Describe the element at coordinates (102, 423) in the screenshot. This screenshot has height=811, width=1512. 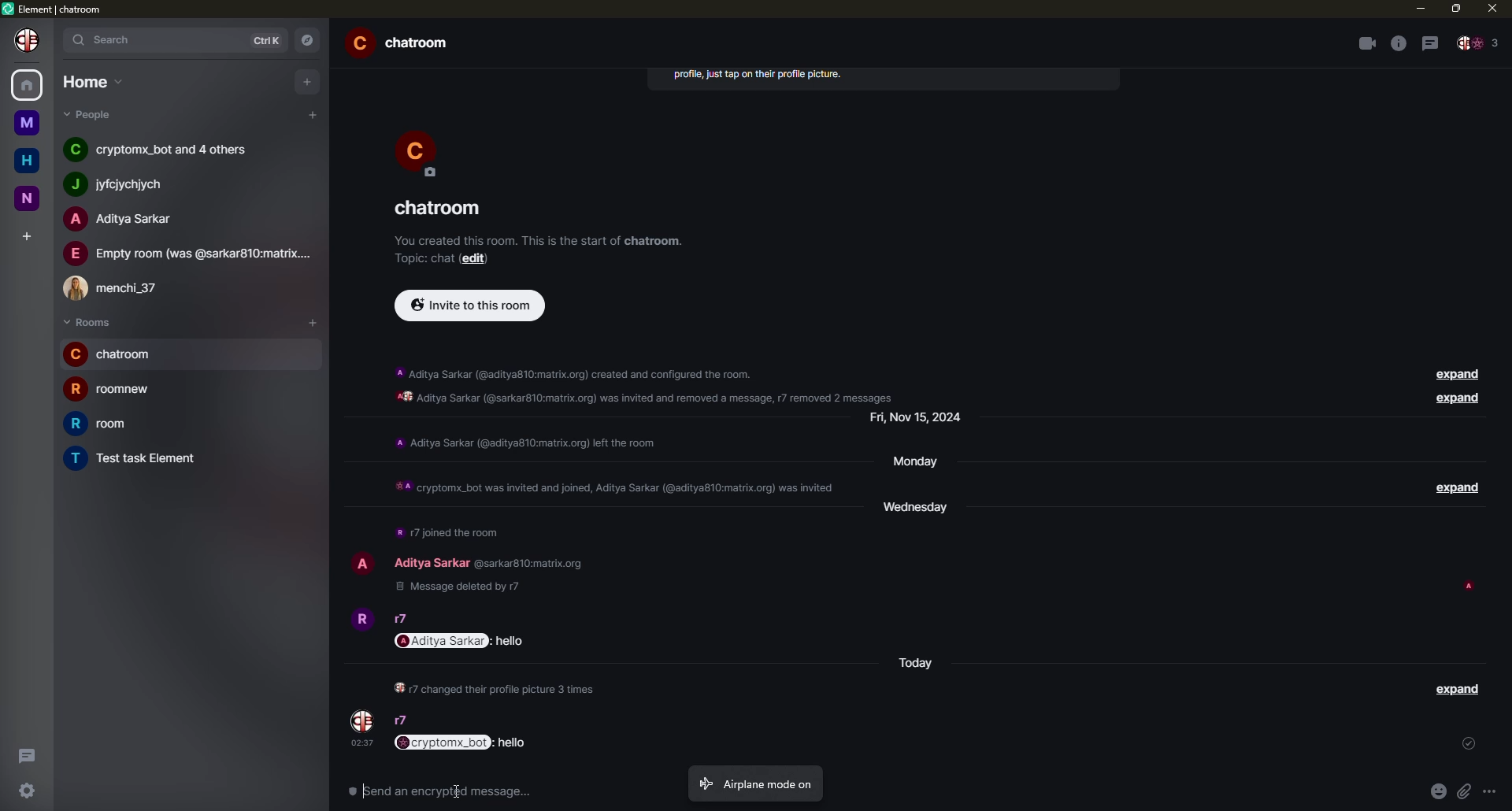
I see `room` at that location.